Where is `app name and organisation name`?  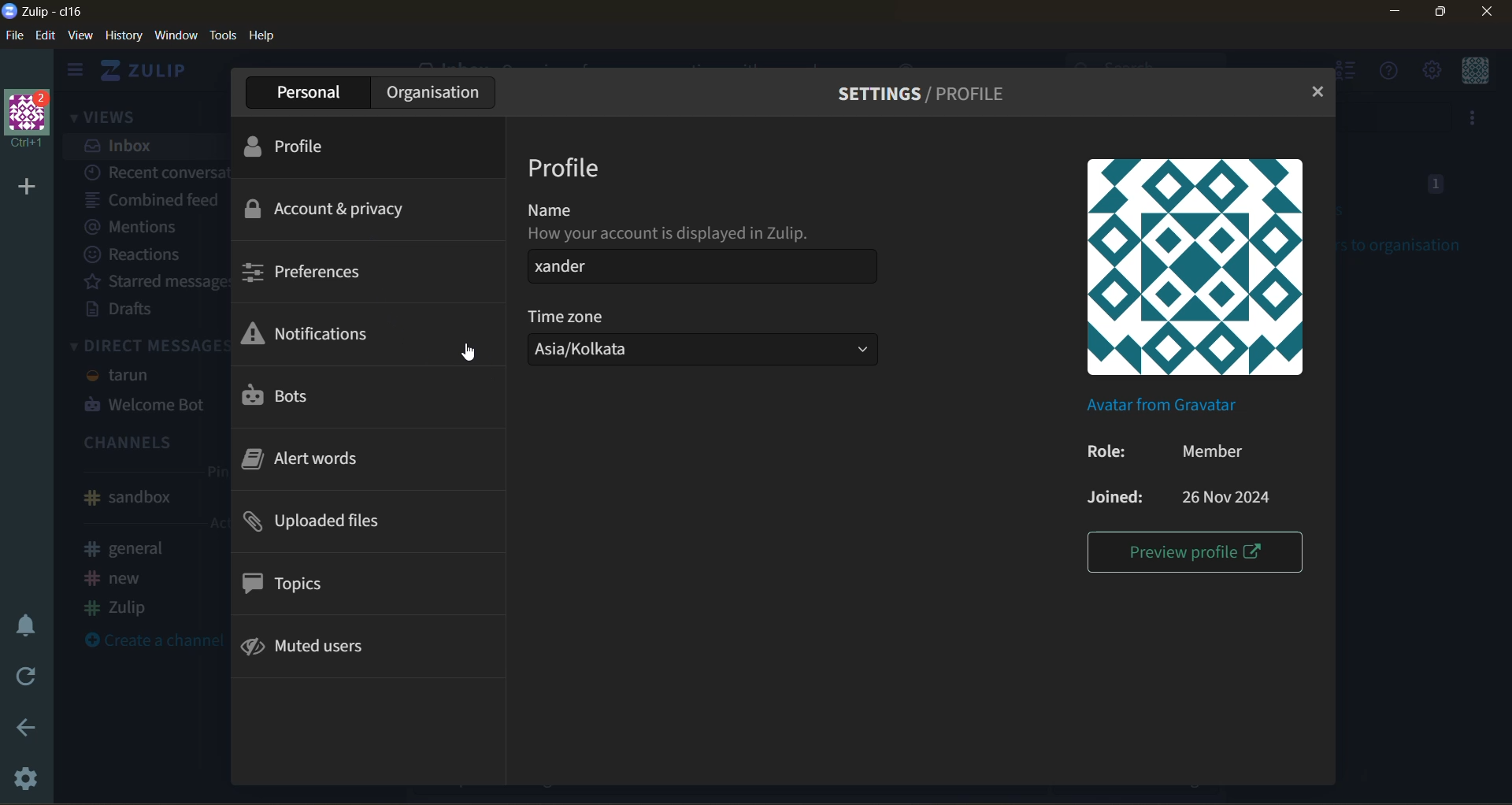
app name and organisation name is located at coordinates (51, 12).